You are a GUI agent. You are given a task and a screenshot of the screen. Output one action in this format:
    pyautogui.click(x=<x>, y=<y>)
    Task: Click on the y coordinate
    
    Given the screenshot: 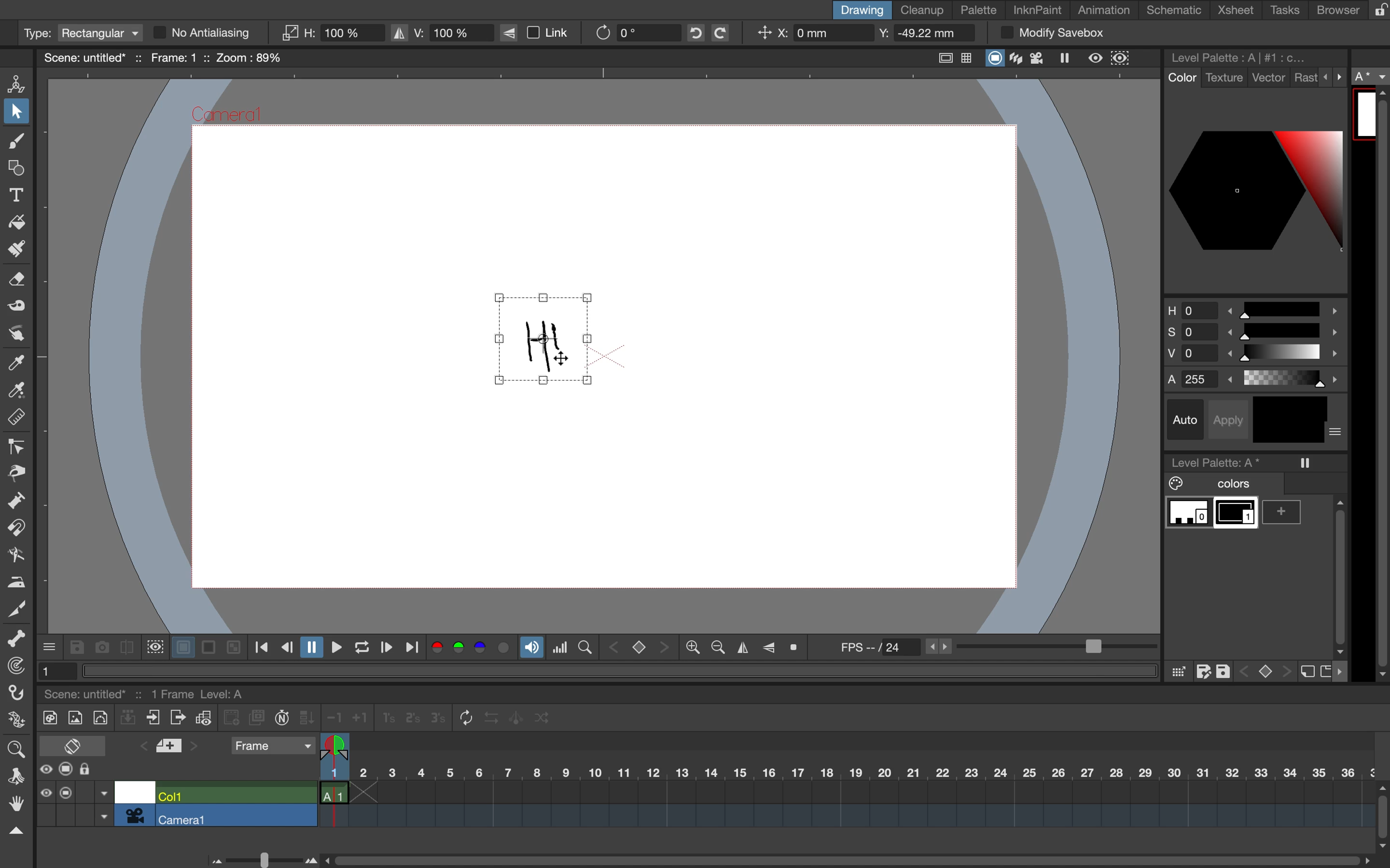 What is the action you would take?
    pyautogui.click(x=921, y=34)
    